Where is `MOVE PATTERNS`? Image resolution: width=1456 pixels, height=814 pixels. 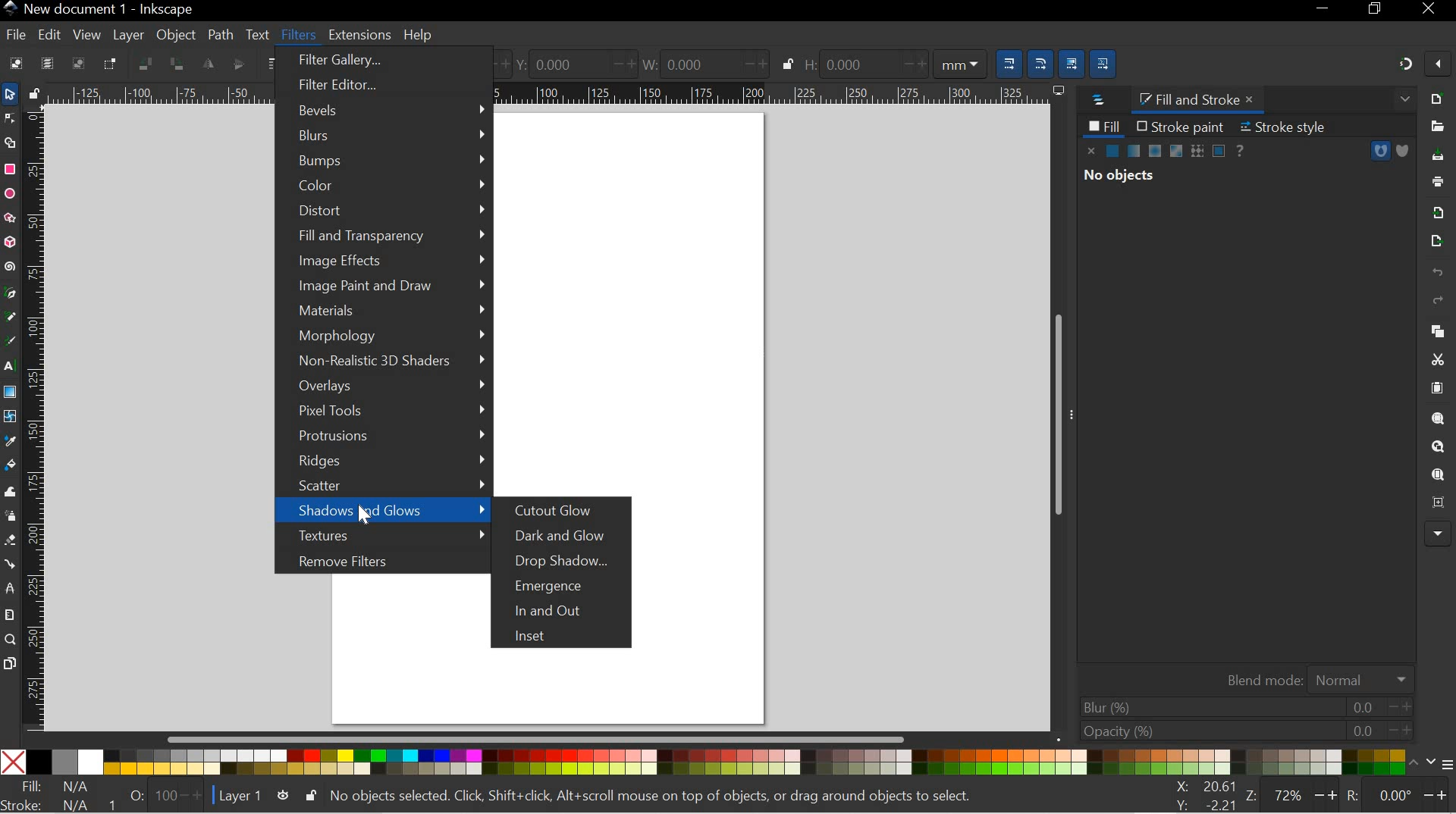 MOVE PATTERNS is located at coordinates (1106, 61).